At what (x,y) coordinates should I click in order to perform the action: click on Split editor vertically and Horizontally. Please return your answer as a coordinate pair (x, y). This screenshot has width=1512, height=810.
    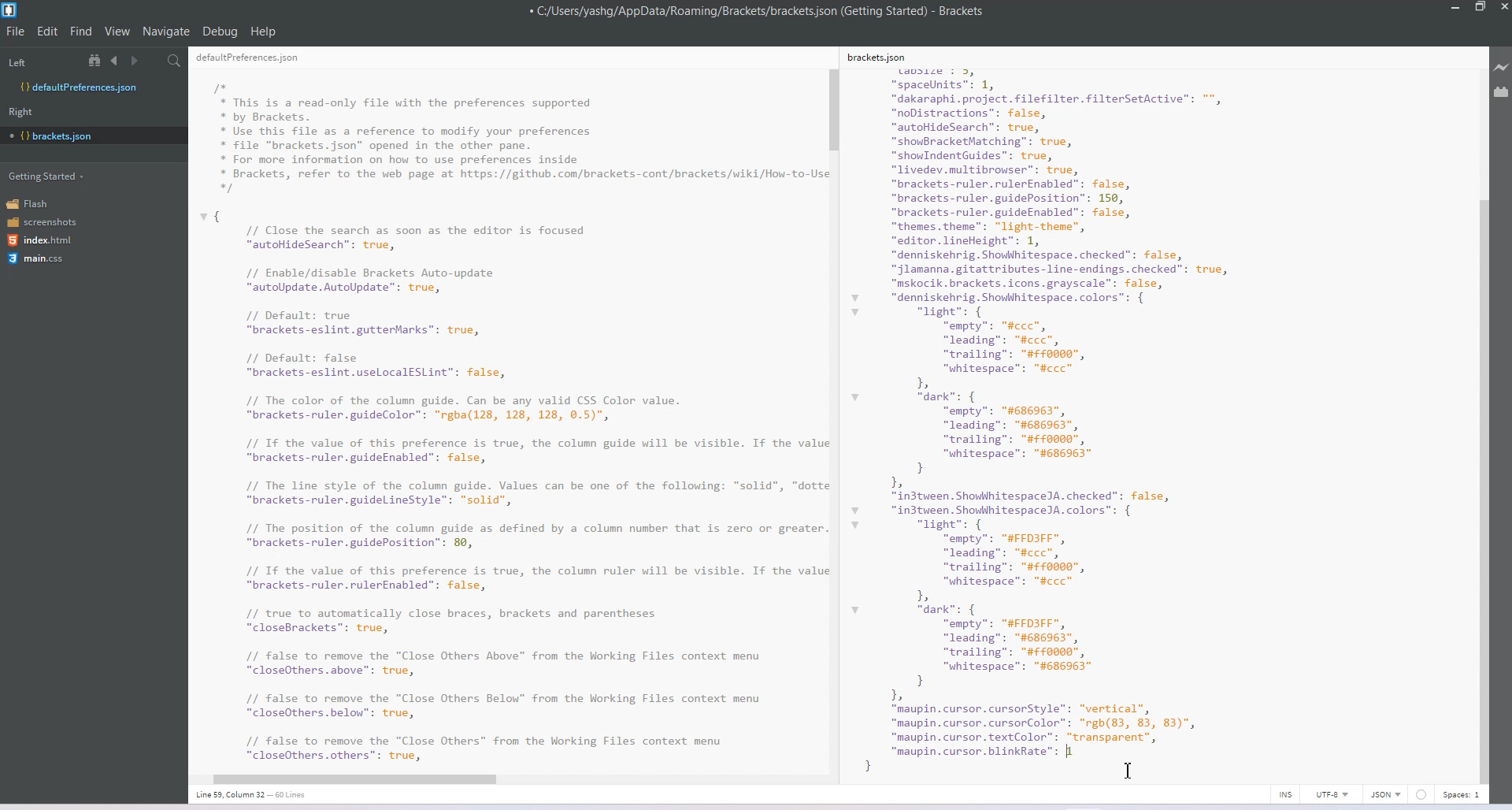
    Looking at the image, I should click on (154, 61).